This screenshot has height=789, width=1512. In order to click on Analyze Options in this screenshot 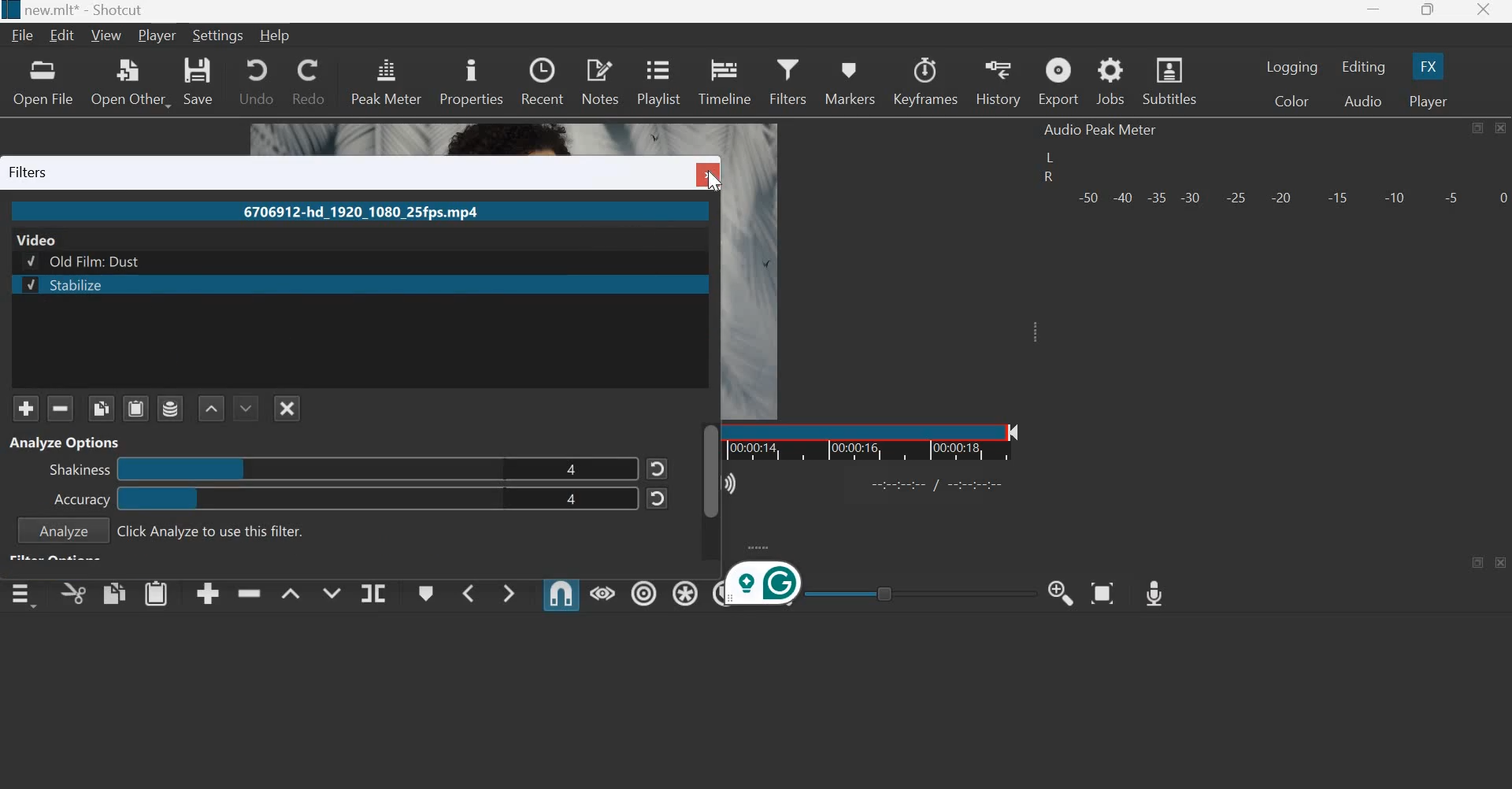, I will do `click(68, 441)`.